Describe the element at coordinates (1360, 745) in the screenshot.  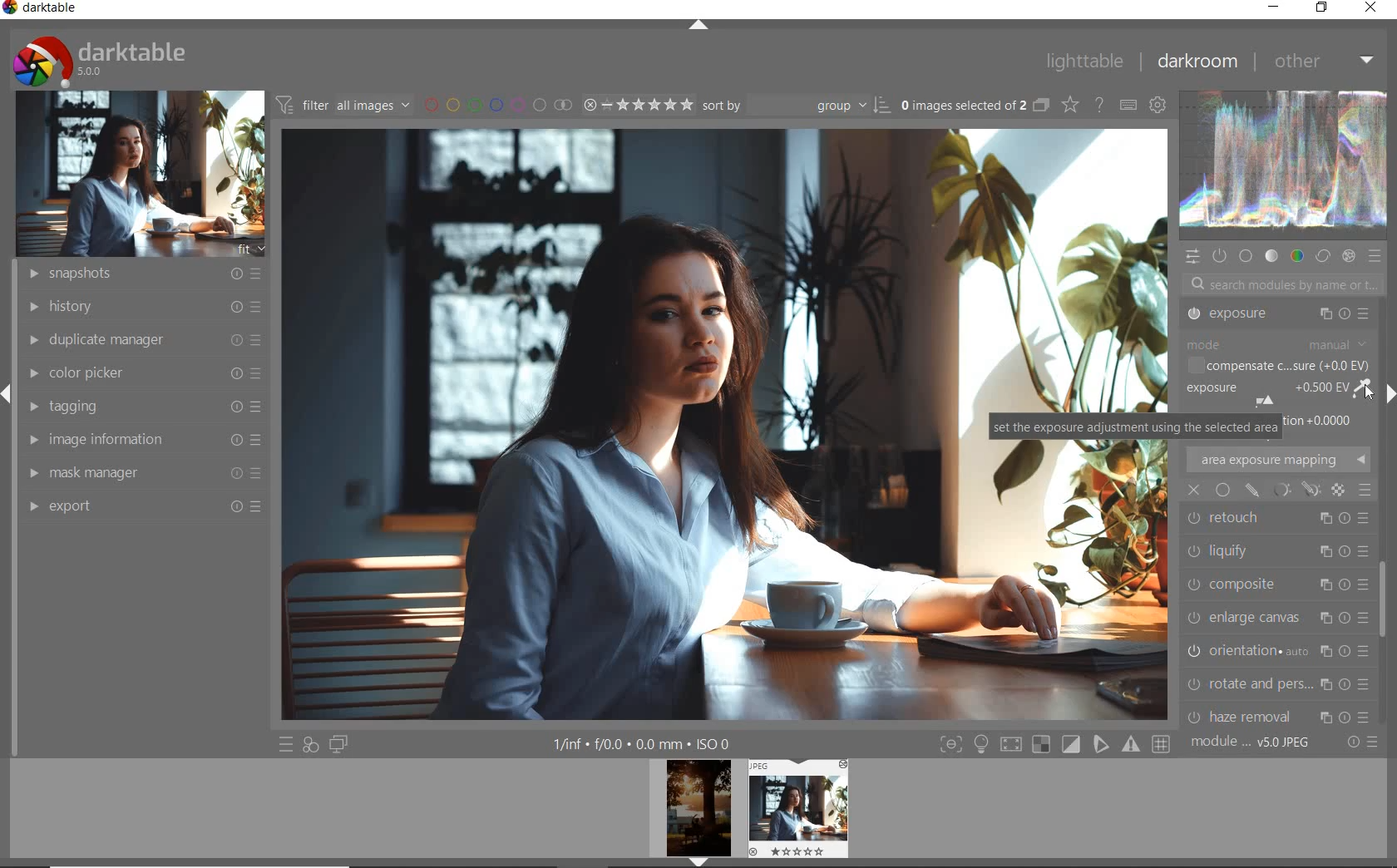
I see `RESET OR PRESET & PREFERANCE` at that location.